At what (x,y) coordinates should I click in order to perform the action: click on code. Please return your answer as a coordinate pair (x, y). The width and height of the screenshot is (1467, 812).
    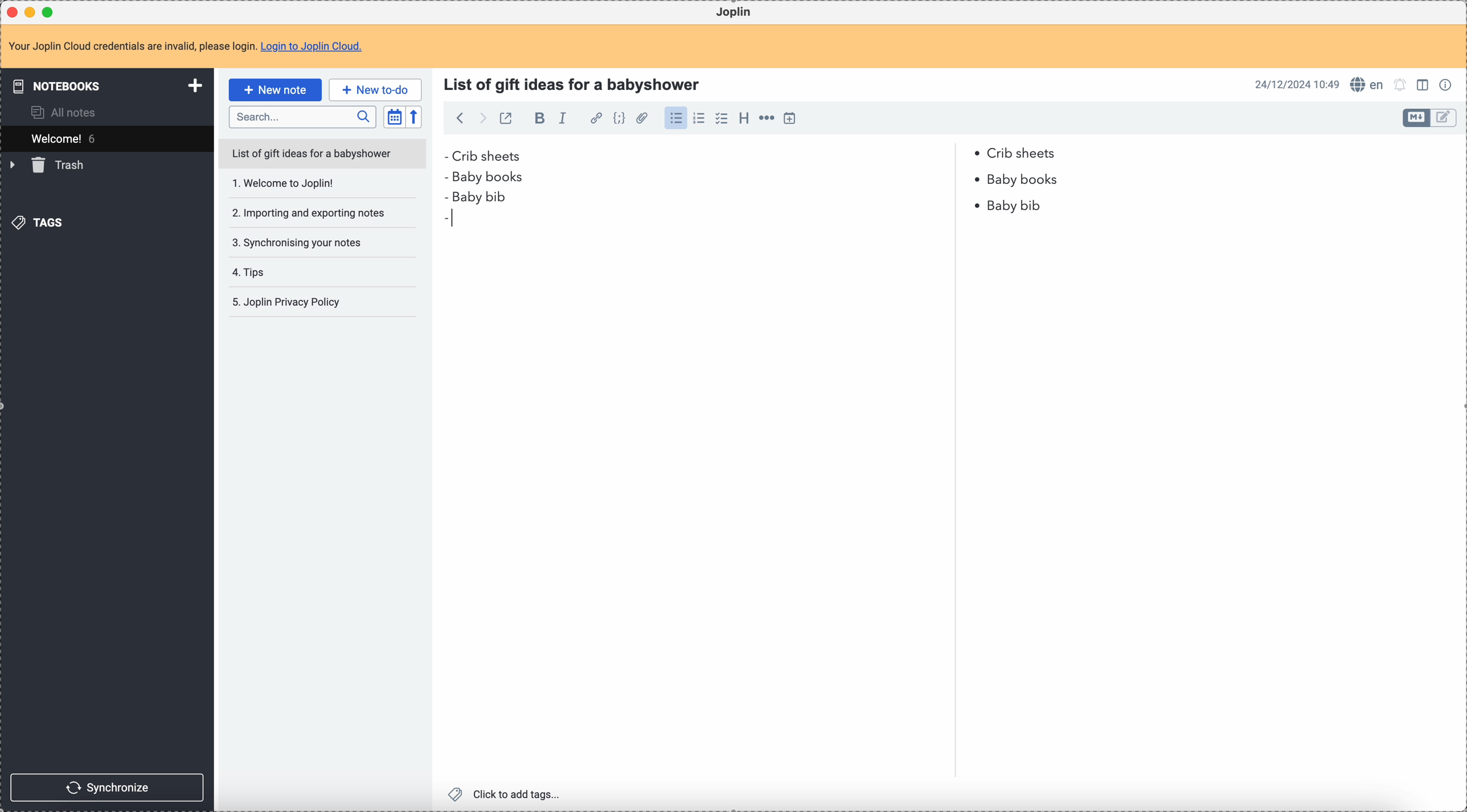
    Looking at the image, I should click on (621, 119).